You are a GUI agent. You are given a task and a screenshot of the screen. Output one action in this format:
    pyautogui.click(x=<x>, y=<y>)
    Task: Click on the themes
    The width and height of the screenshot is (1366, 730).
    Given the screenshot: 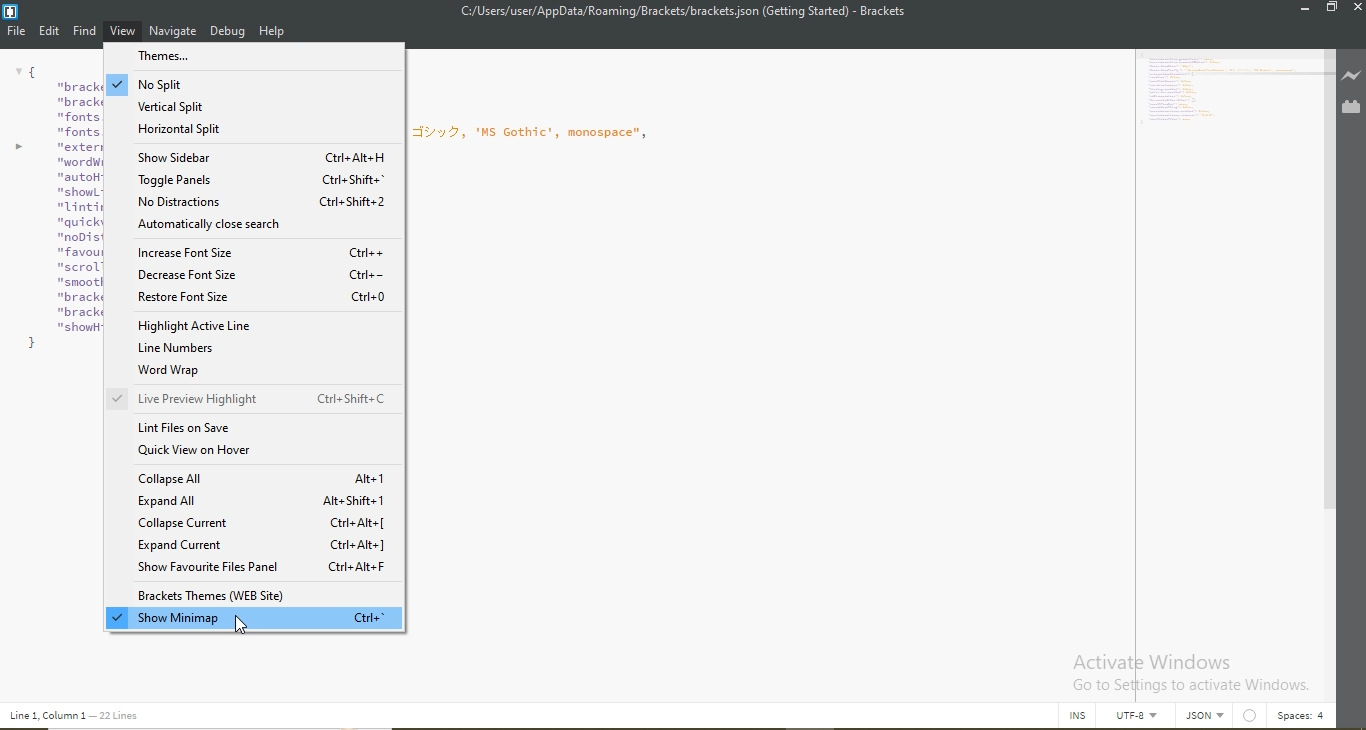 What is the action you would take?
    pyautogui.click(x=250, y=56)
    